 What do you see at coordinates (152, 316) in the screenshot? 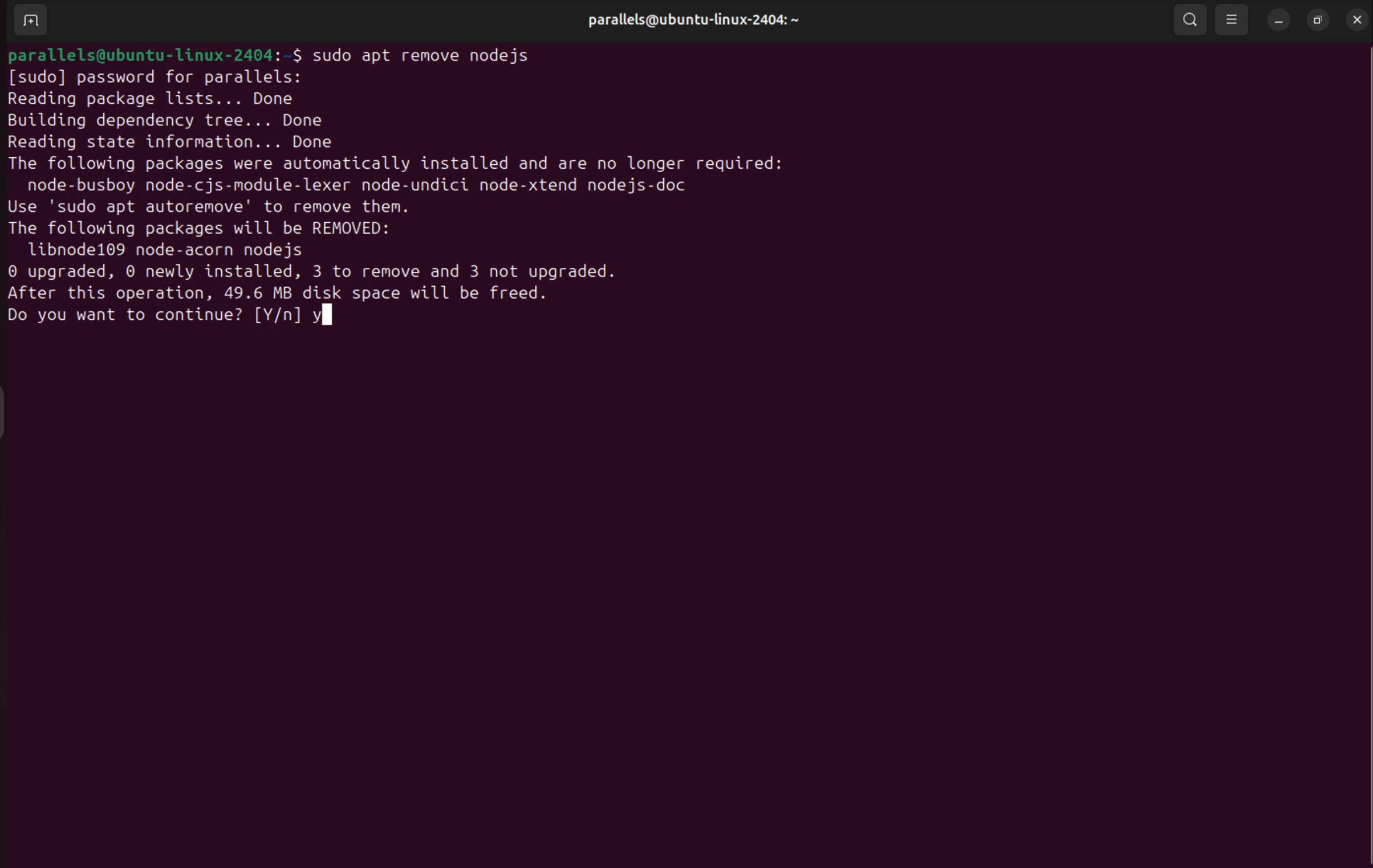
I see `Do you want to continue? [Y/n]` at bounding box center [152, 316].